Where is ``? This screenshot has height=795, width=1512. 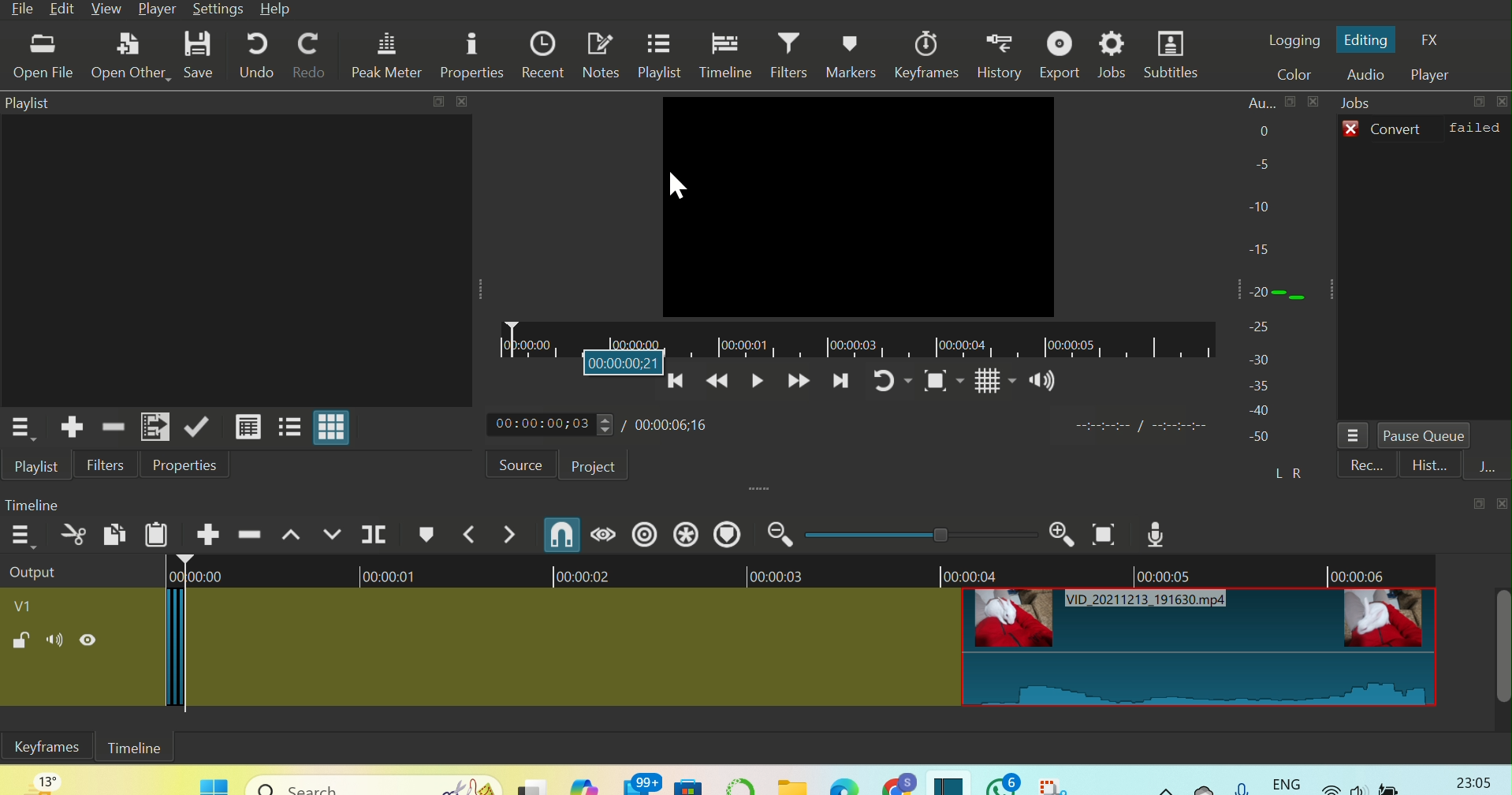  is located at coordinates (1223, 781).